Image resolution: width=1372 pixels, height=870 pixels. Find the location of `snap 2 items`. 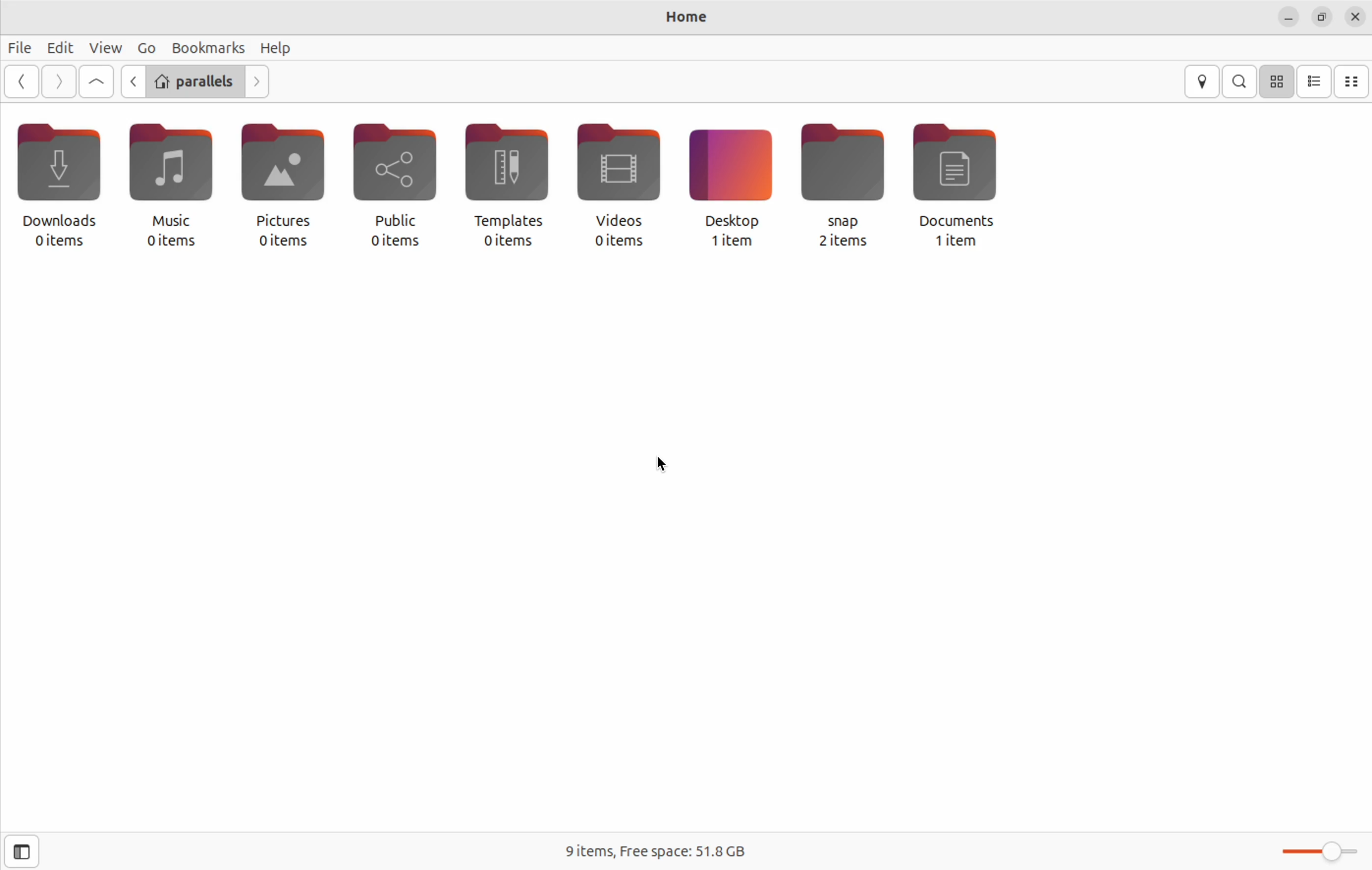

snap 2 items is located at coordinates (843, 191).